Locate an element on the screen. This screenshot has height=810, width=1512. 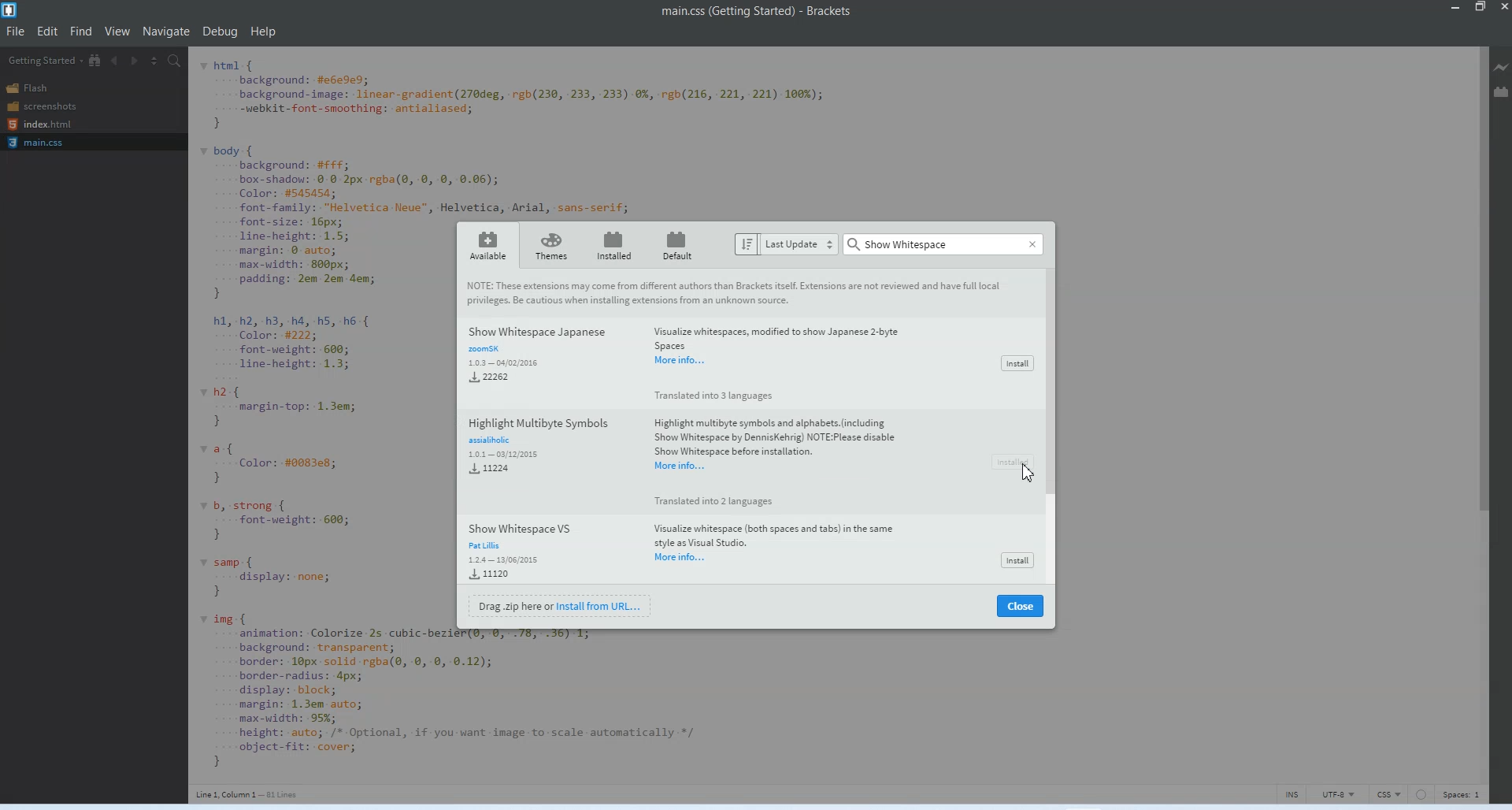
Text 3 is located at coordinates (250, 793).